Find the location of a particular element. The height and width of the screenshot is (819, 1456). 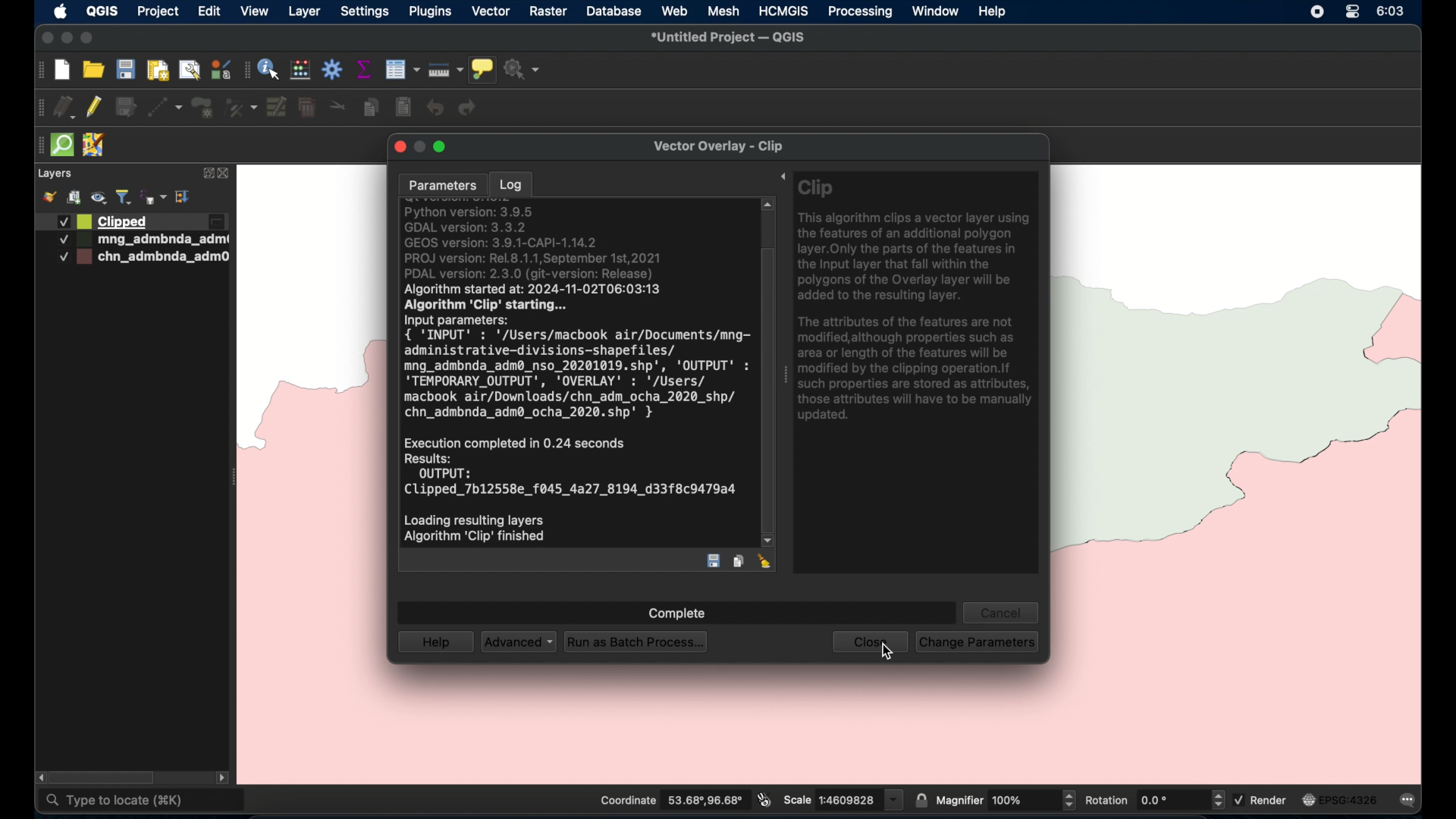

HCMGIS is located at coordinates (782, 11).